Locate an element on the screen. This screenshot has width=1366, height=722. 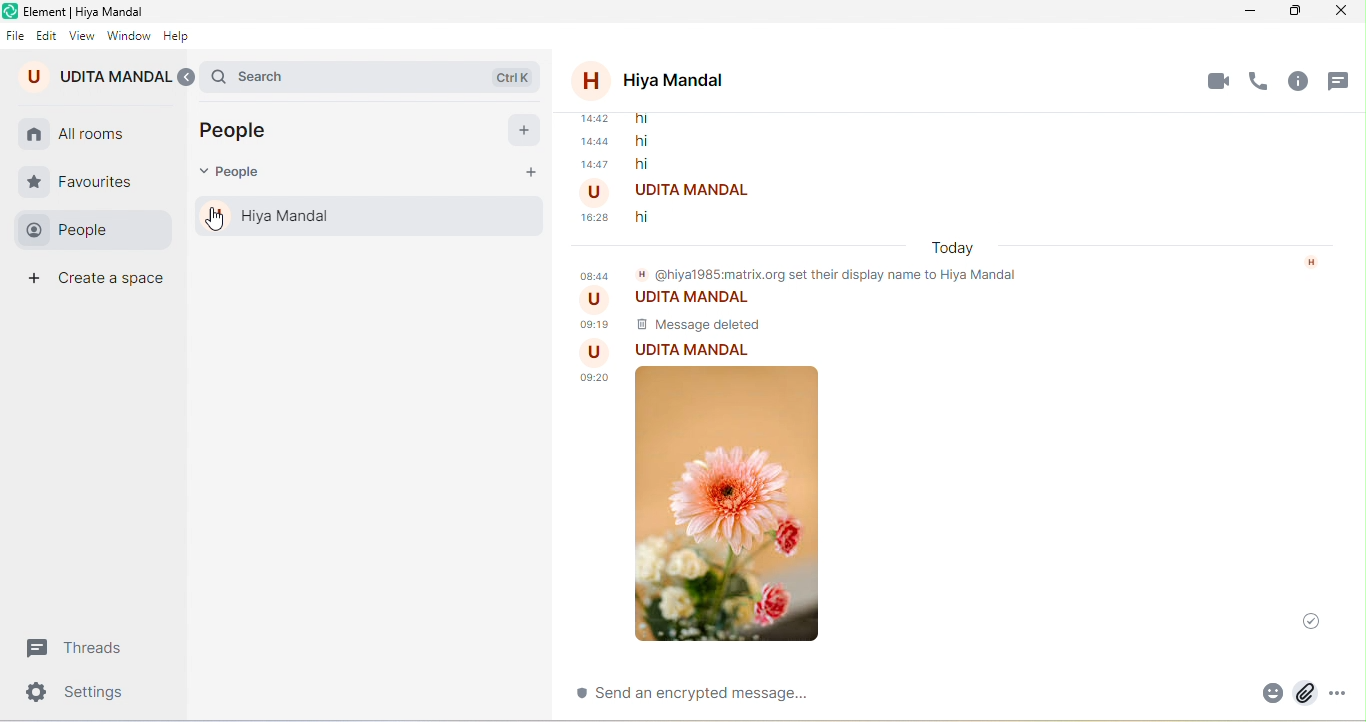
hiya mandal is located at coordinates (370, 217).